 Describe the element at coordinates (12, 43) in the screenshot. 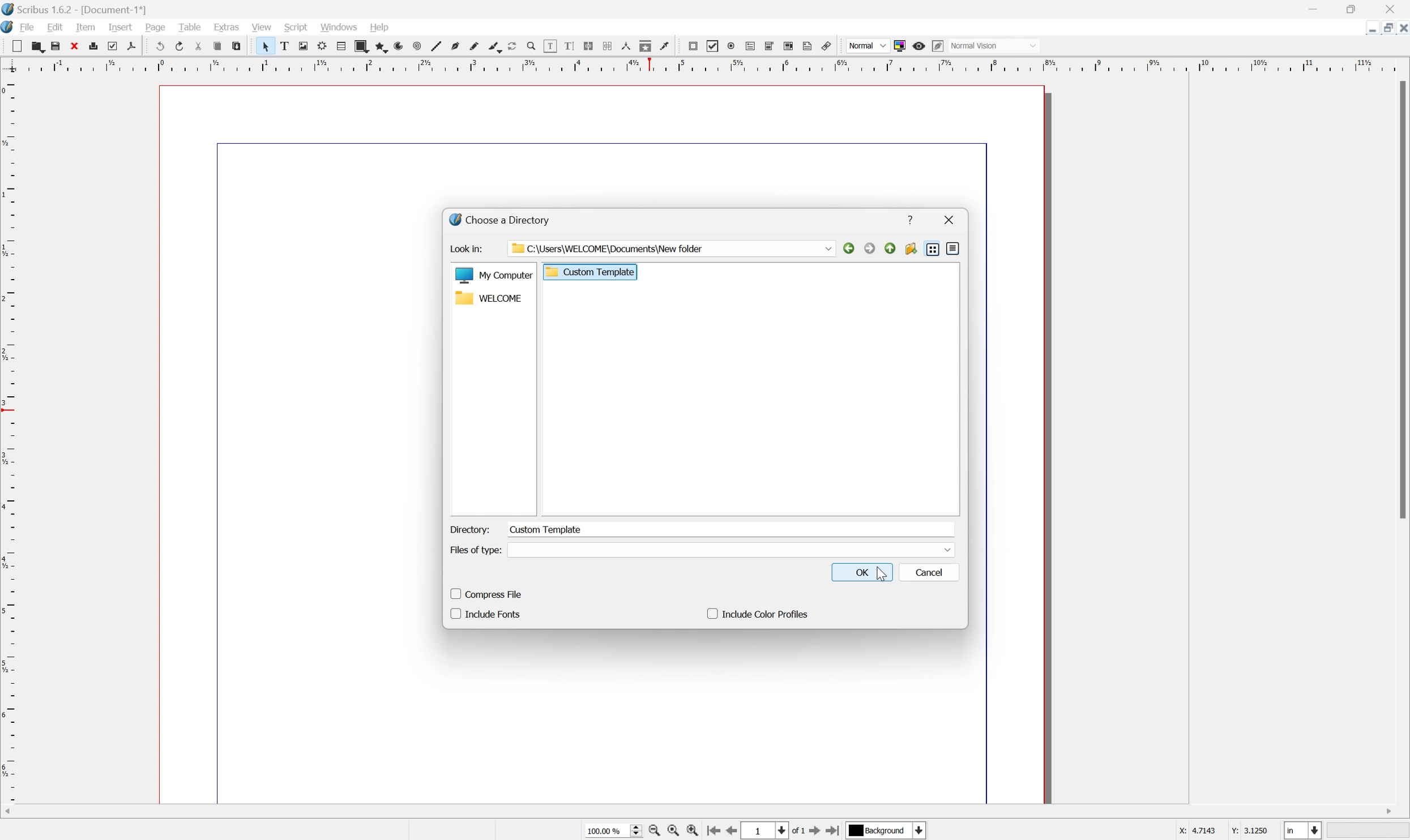

I see `cut` at that location.